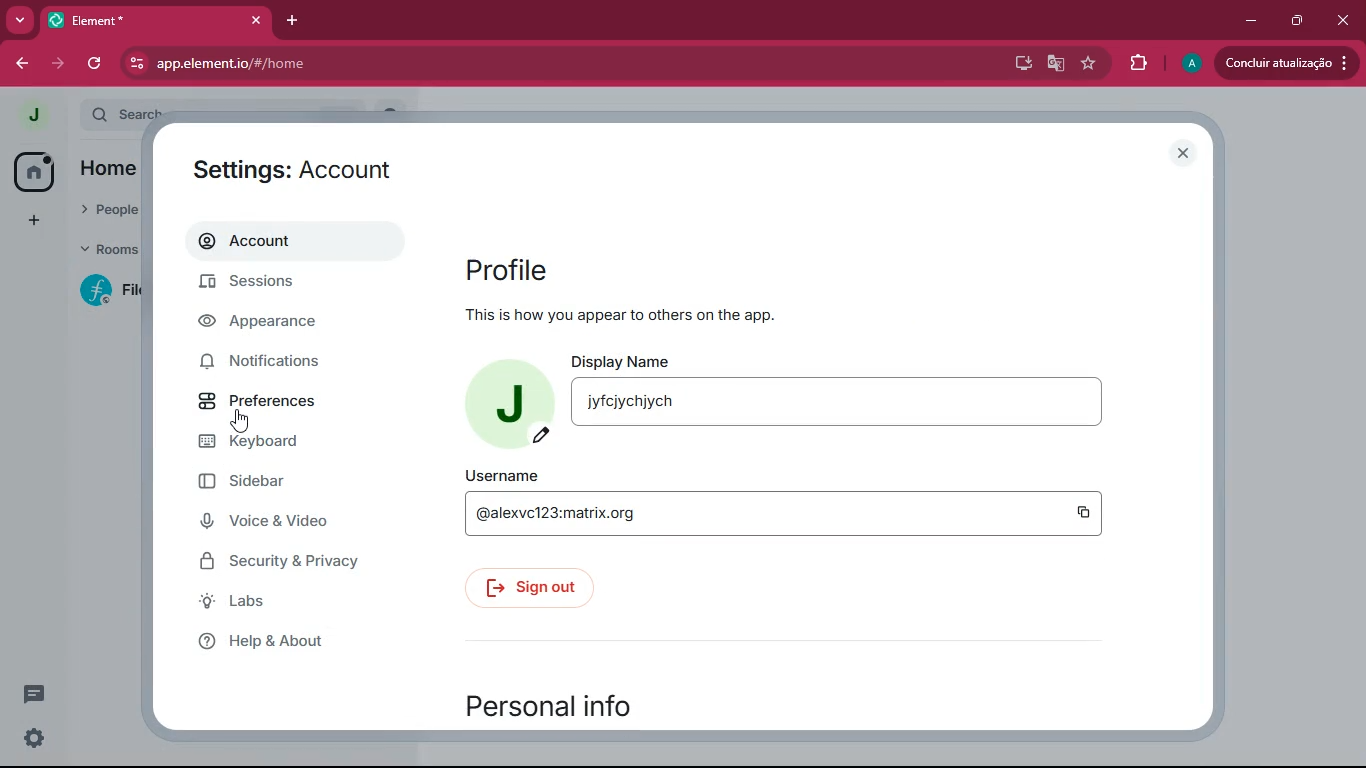 The width and height of the screenshot is (1366, 768). I want to click on close, so click(1182, 153).